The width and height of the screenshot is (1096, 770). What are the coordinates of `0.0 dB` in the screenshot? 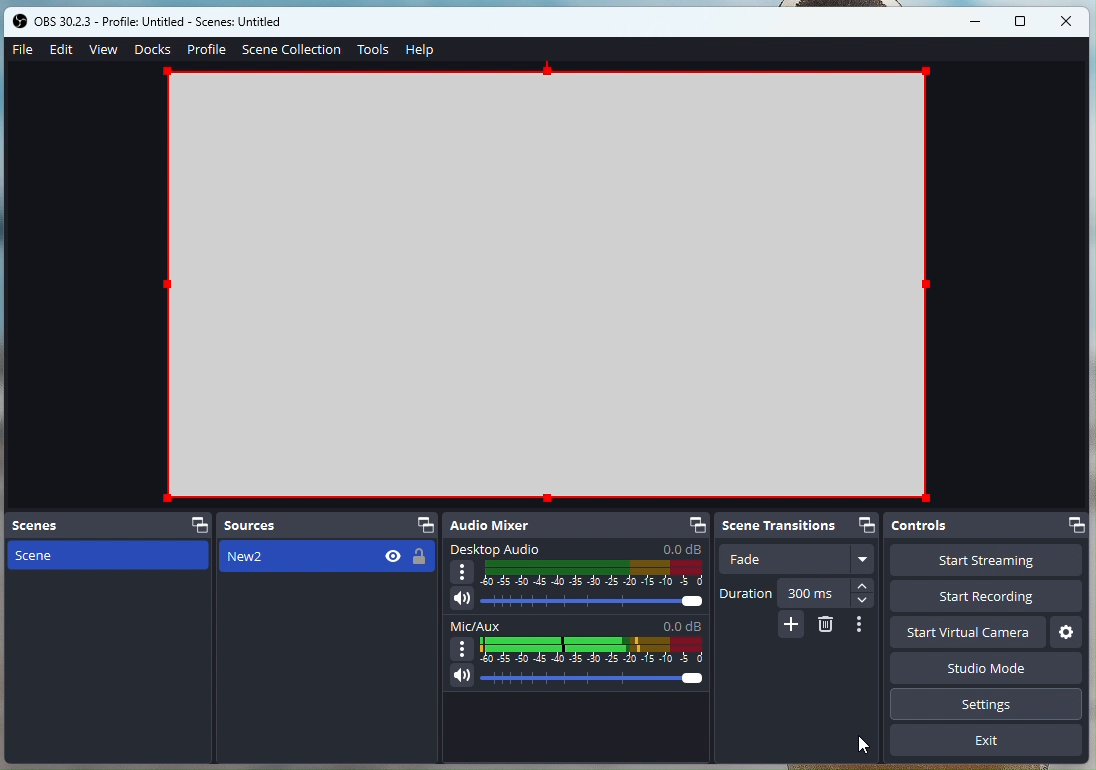 It's located at (685, 548).